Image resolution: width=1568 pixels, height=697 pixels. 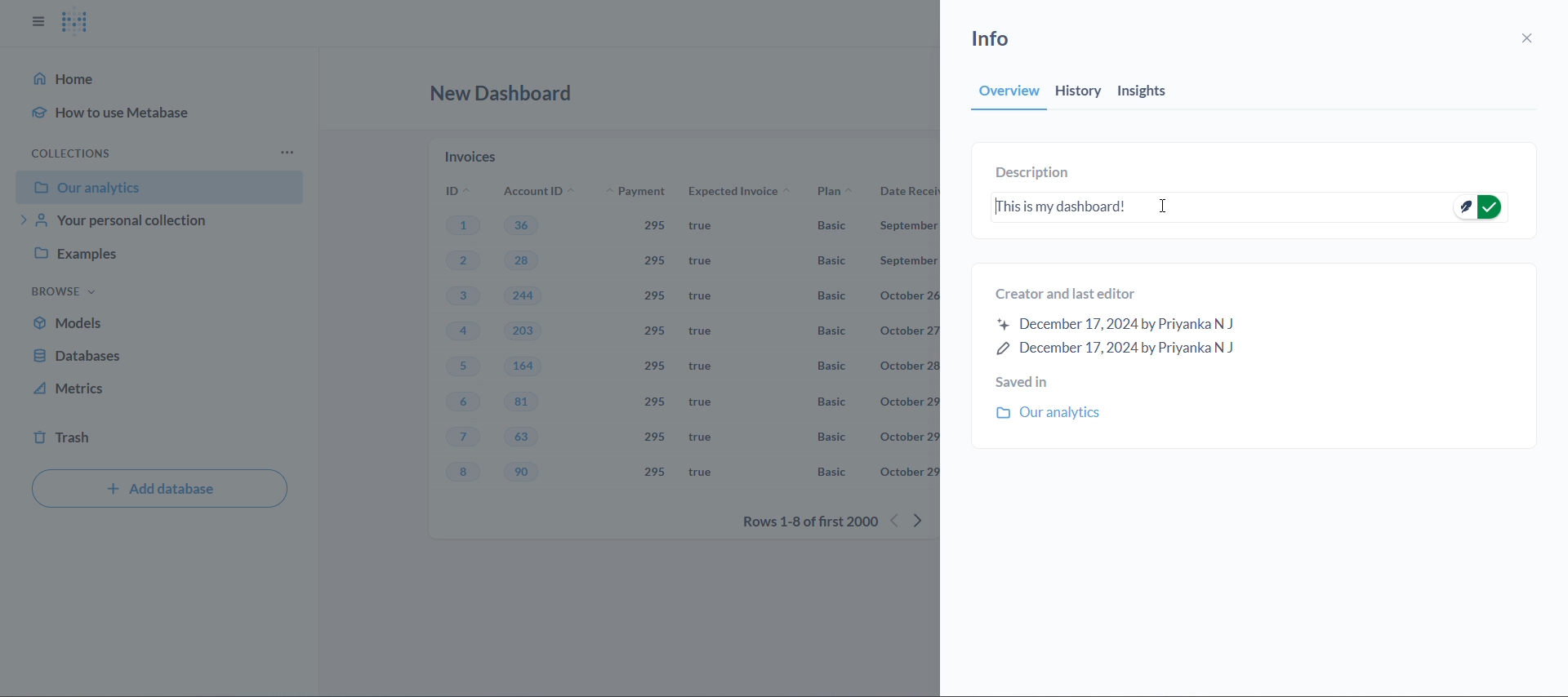 I want to click on cursor , so click(x=1162, y=206).